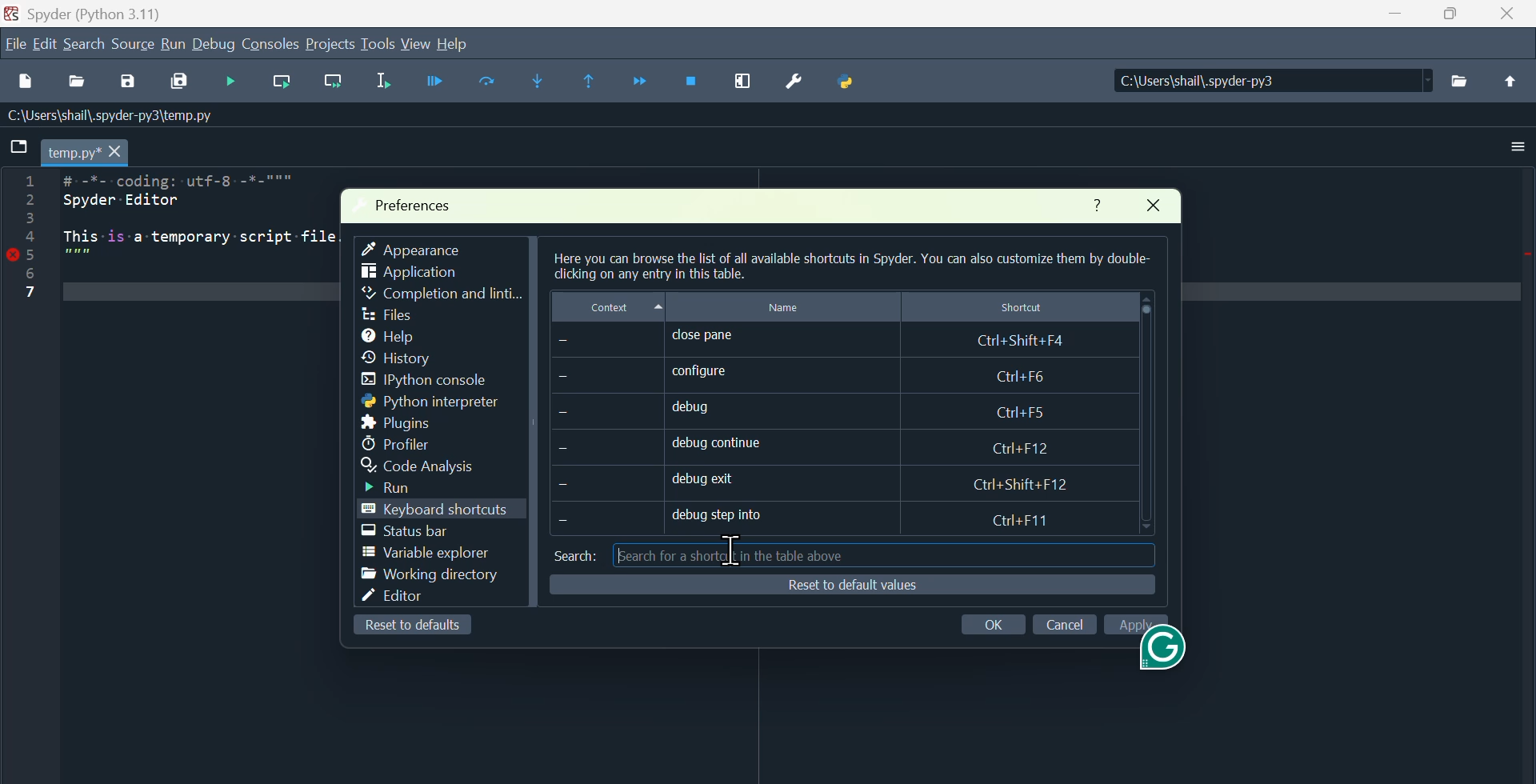  I want to click on Debug, so click(216, 47).